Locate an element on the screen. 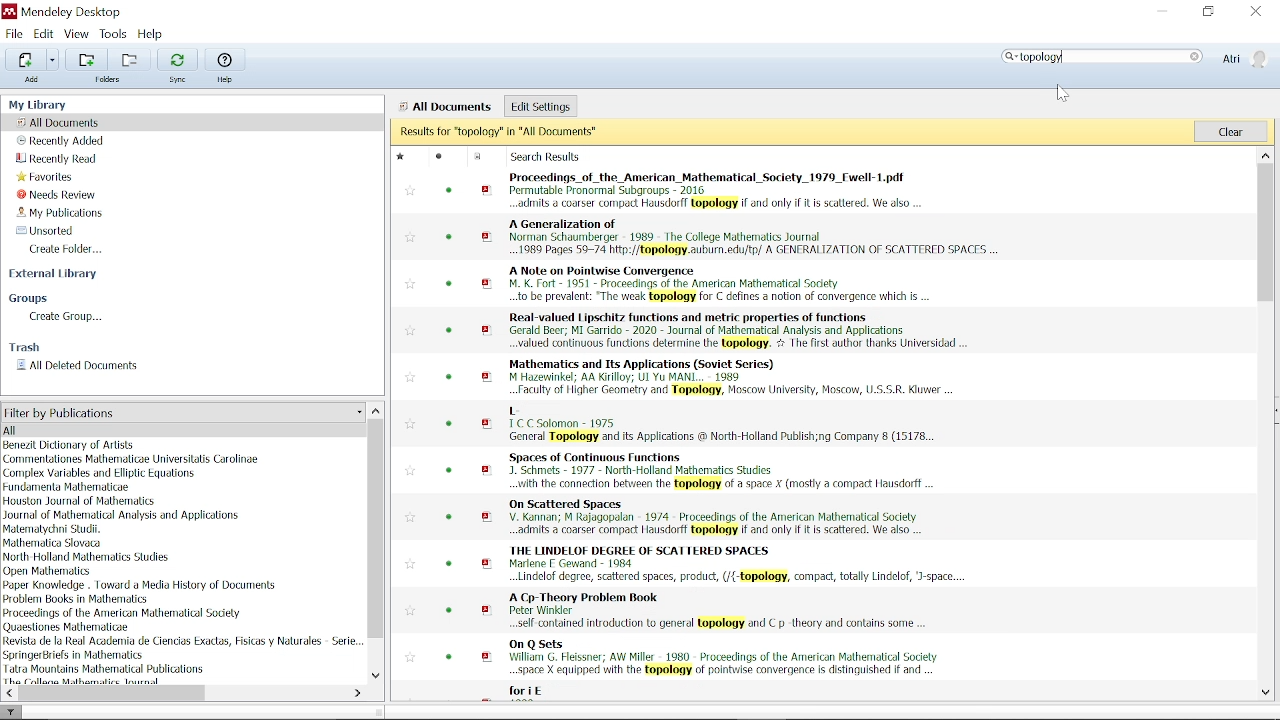 The width and height of the screenshot is (1280, 720). sync is located at coordinates (180, 81).